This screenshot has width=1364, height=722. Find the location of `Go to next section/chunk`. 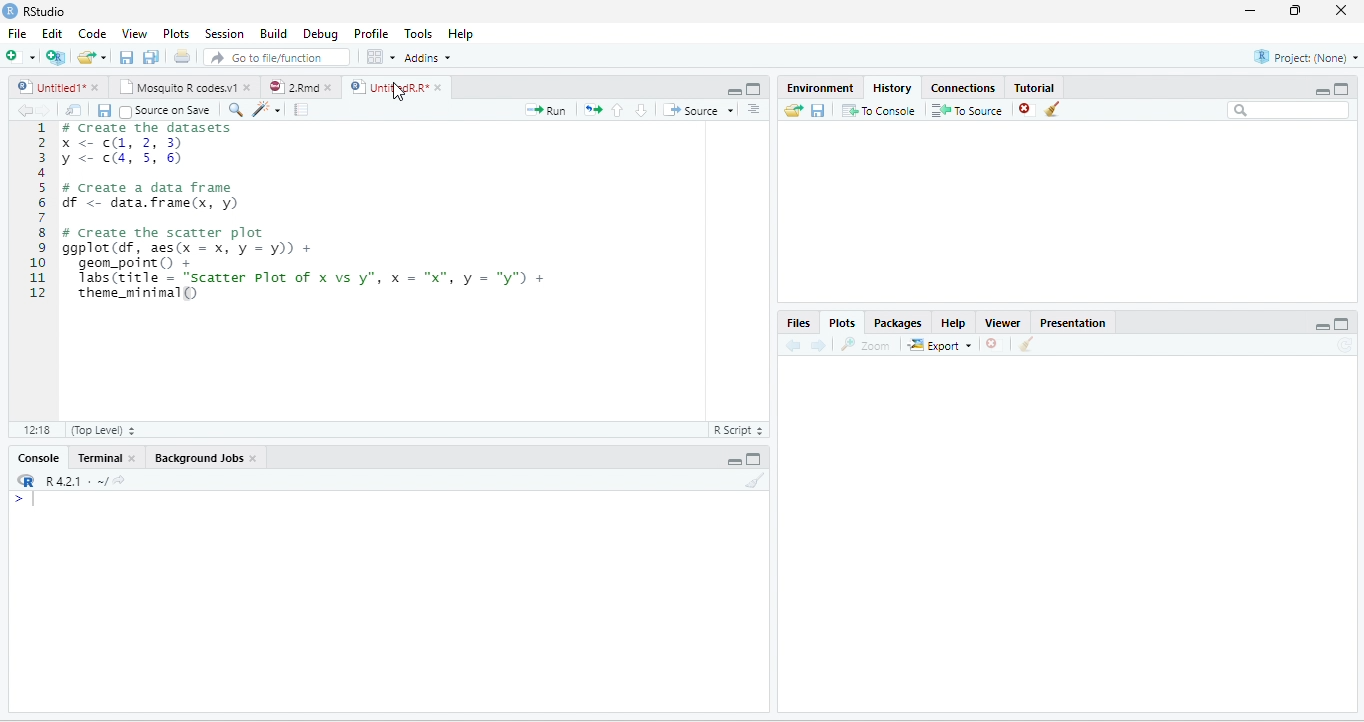

Go to next section/chunk is located at coordinates (641, 110).